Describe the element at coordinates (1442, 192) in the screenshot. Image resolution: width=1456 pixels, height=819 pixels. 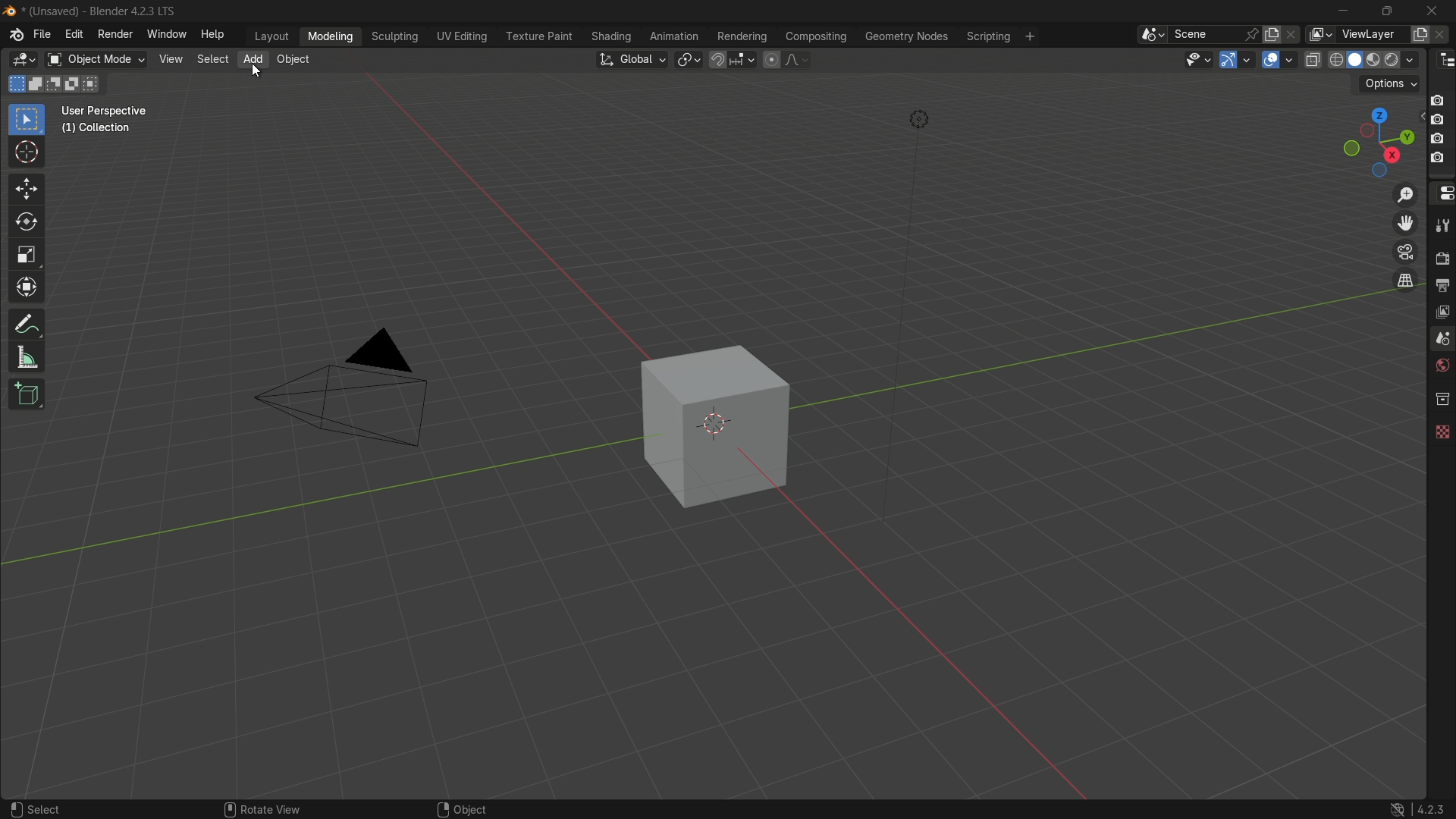
I see `properties` at that location.